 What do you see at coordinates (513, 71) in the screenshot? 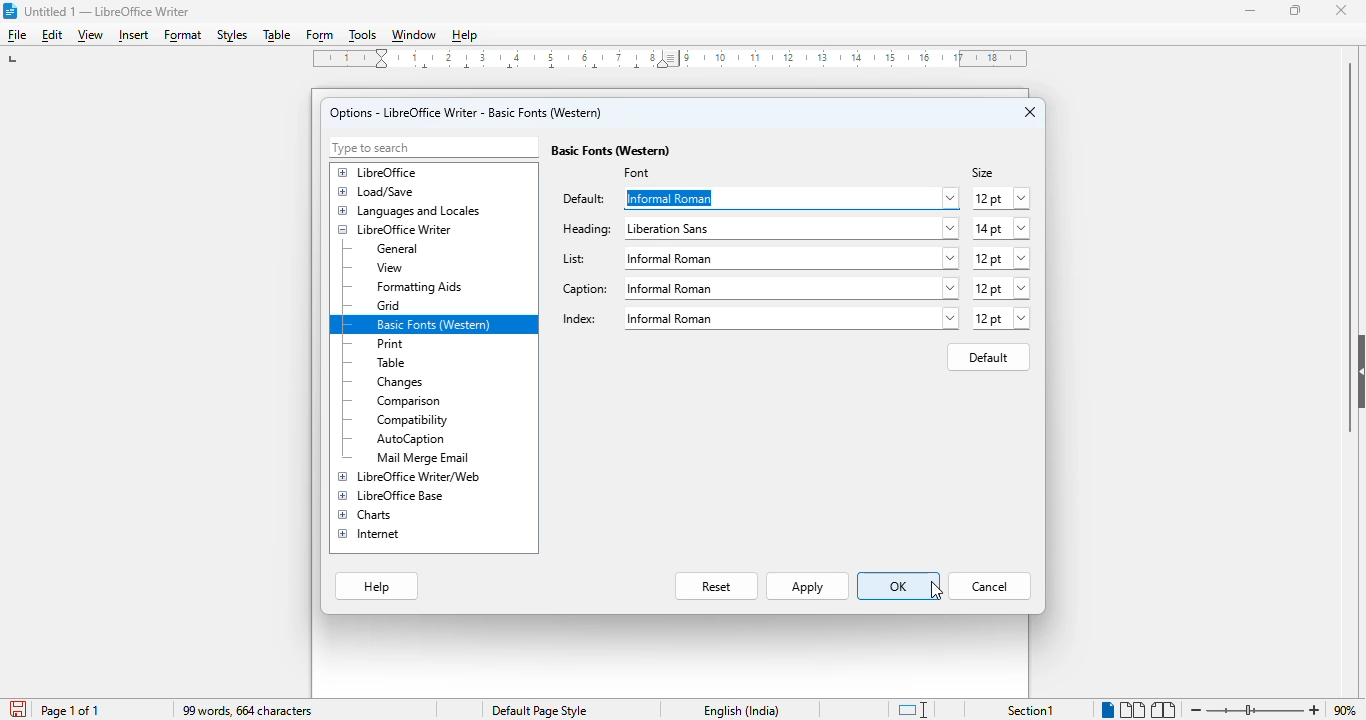
I see `center tab` at bounding box center [513, 71].